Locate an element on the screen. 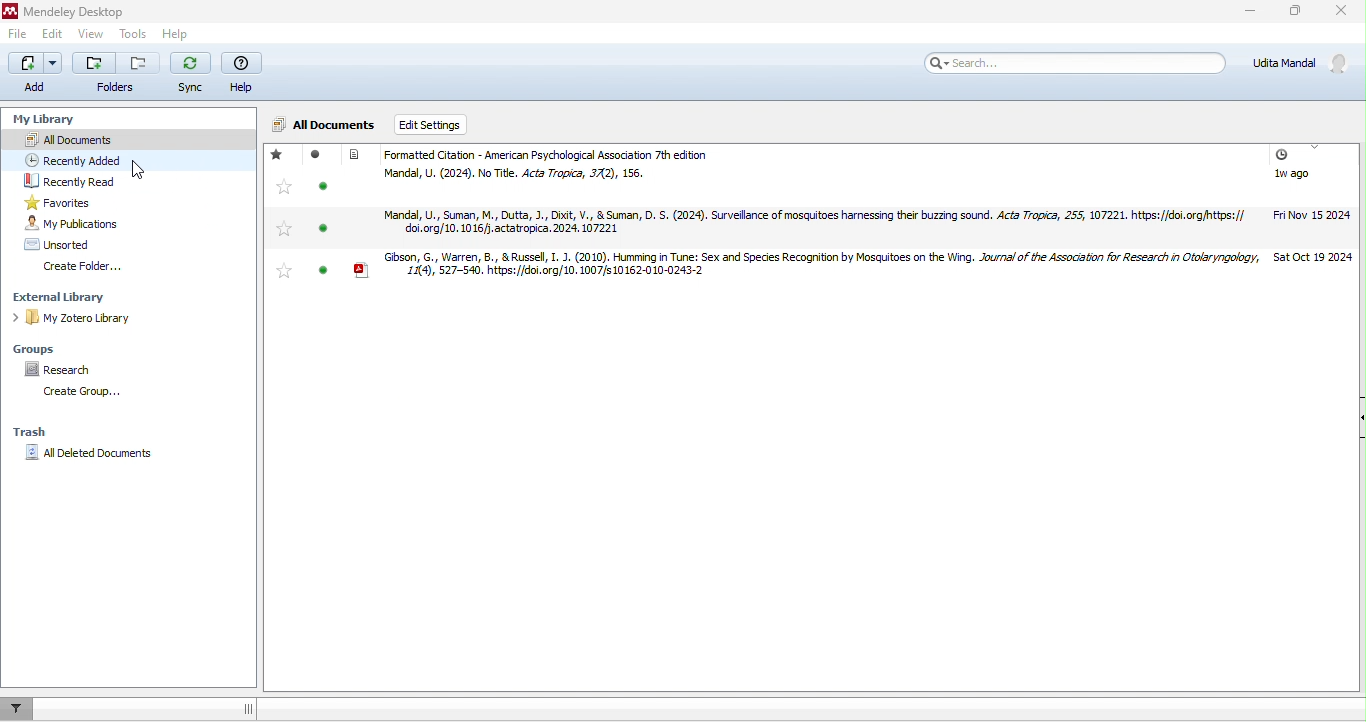 The height and width of the screenshot is (722, 1366). mendeley desktop is located at coordinates (78, 11).